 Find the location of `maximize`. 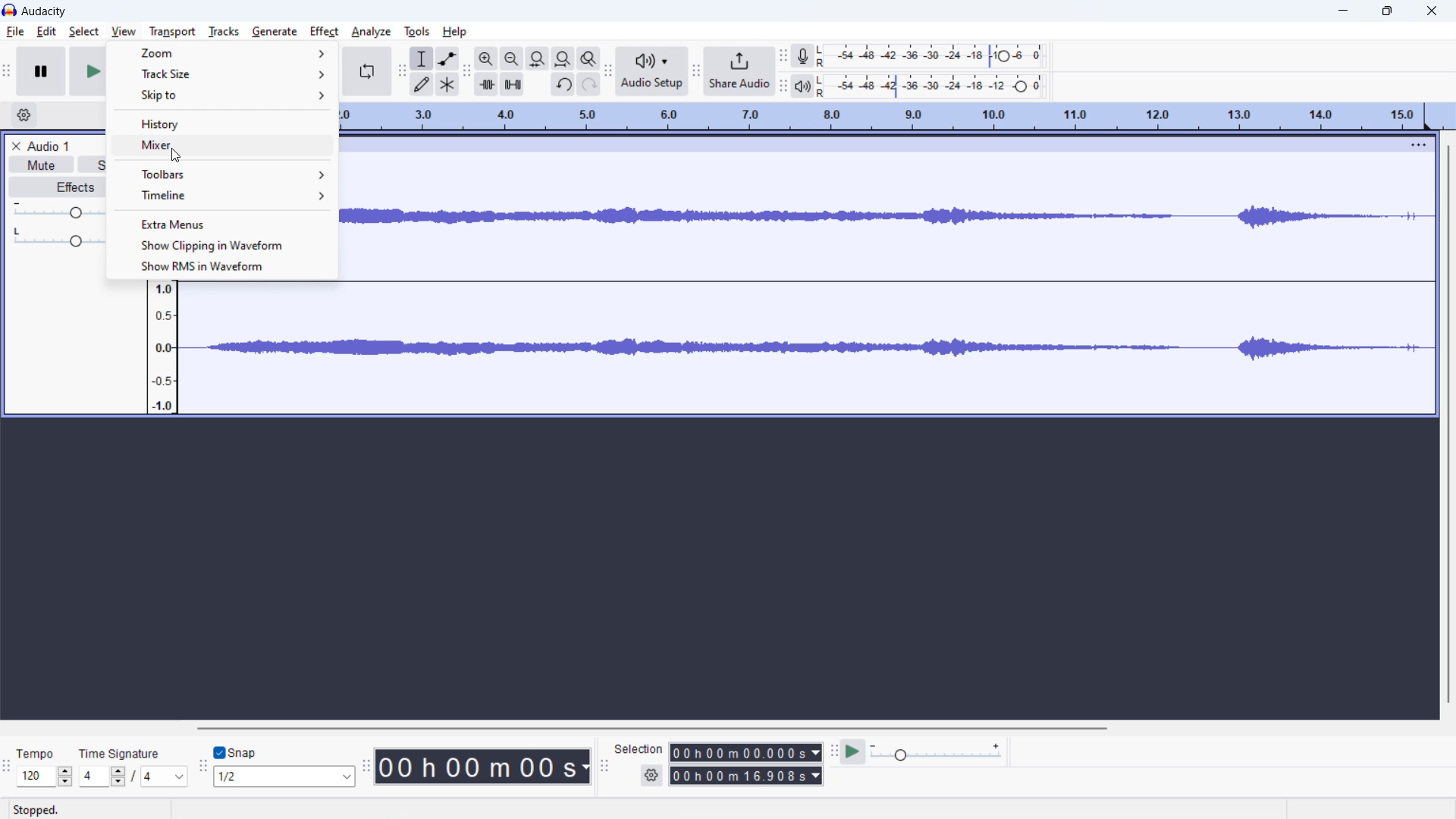

maximize is located at coordinates (1388, 10).